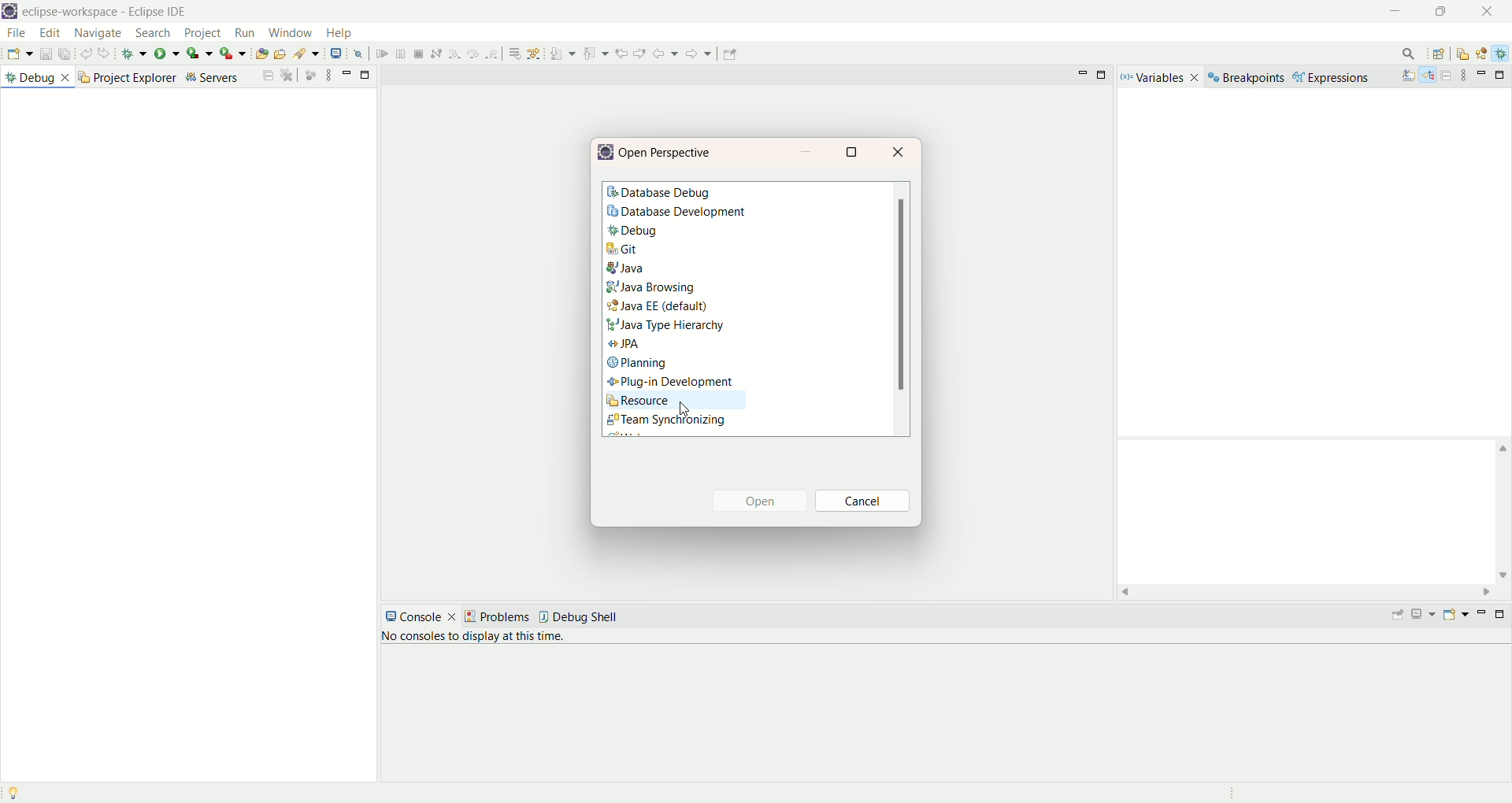  What do you see at coordinates (1439, 54) in the screenshot?
I see `open perspective` at bounding box center [1439, 54].